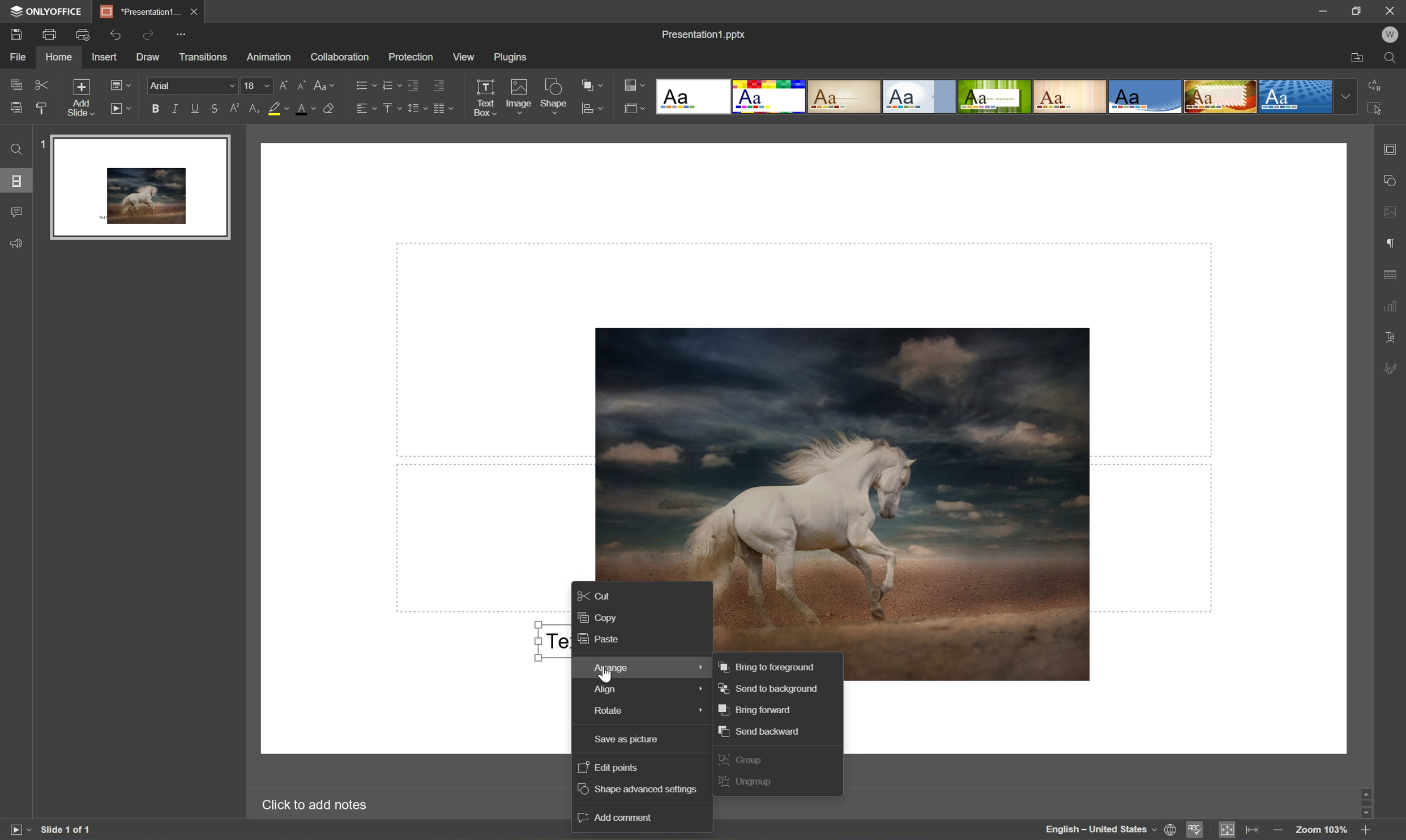 This screenshot has width=1406, height=840. What do you see at coordinates (597, 594) in the screenshot?
I see `Cut` at bounding box center [597, 594].